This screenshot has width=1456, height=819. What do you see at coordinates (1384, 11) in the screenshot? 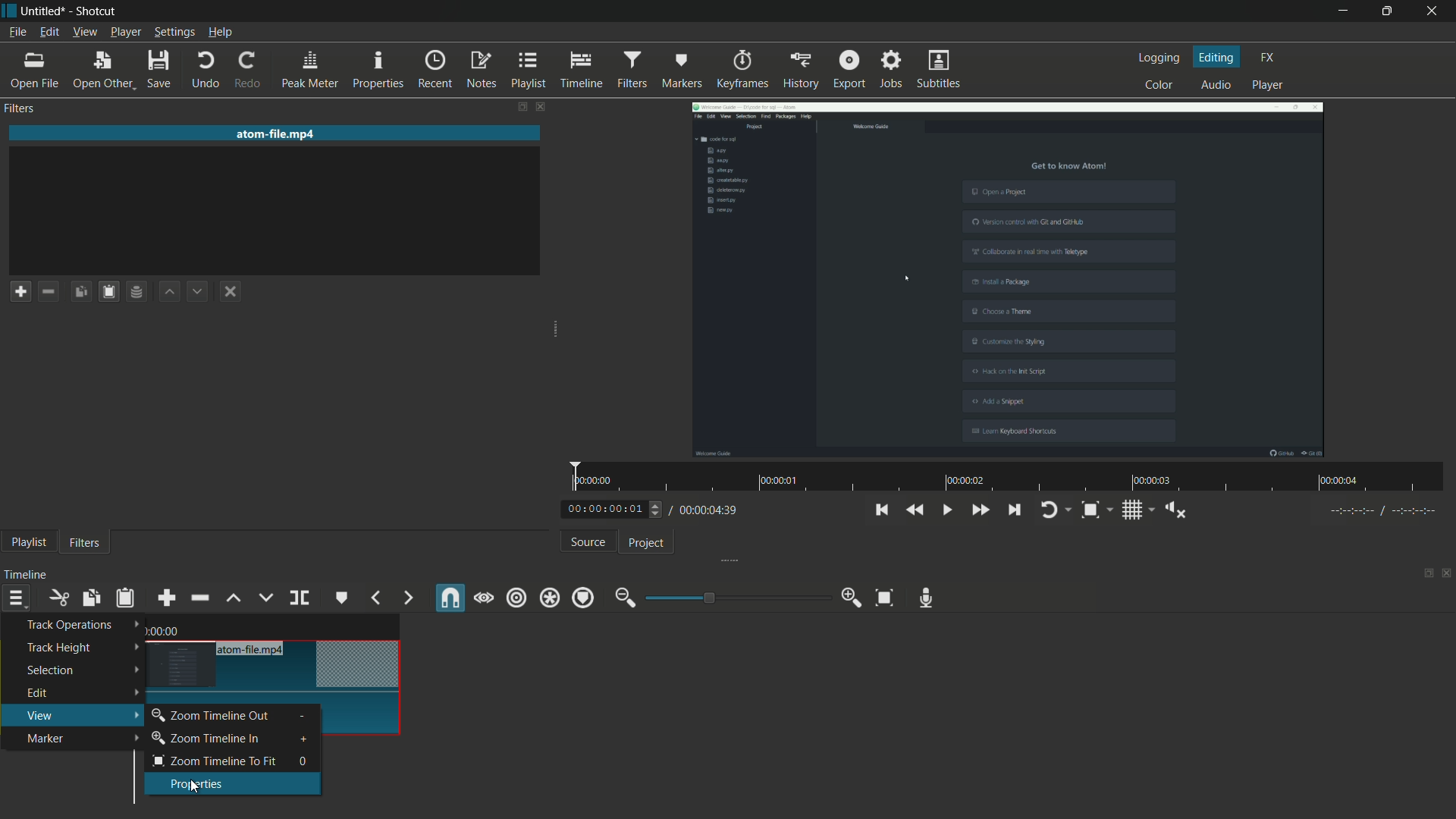
I see `maximize` at bounding box center [1384, 11].